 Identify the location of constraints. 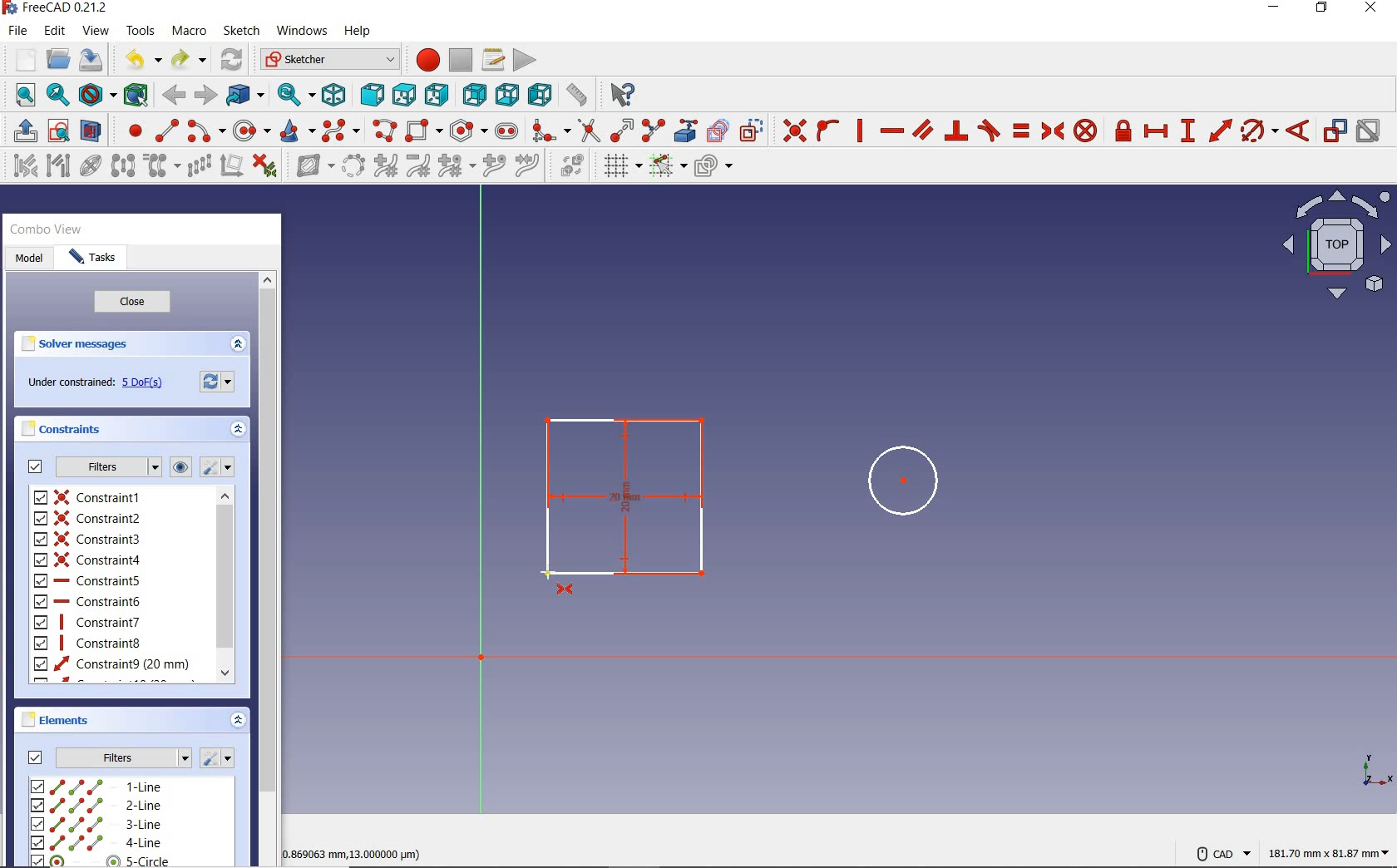
(62, 430).